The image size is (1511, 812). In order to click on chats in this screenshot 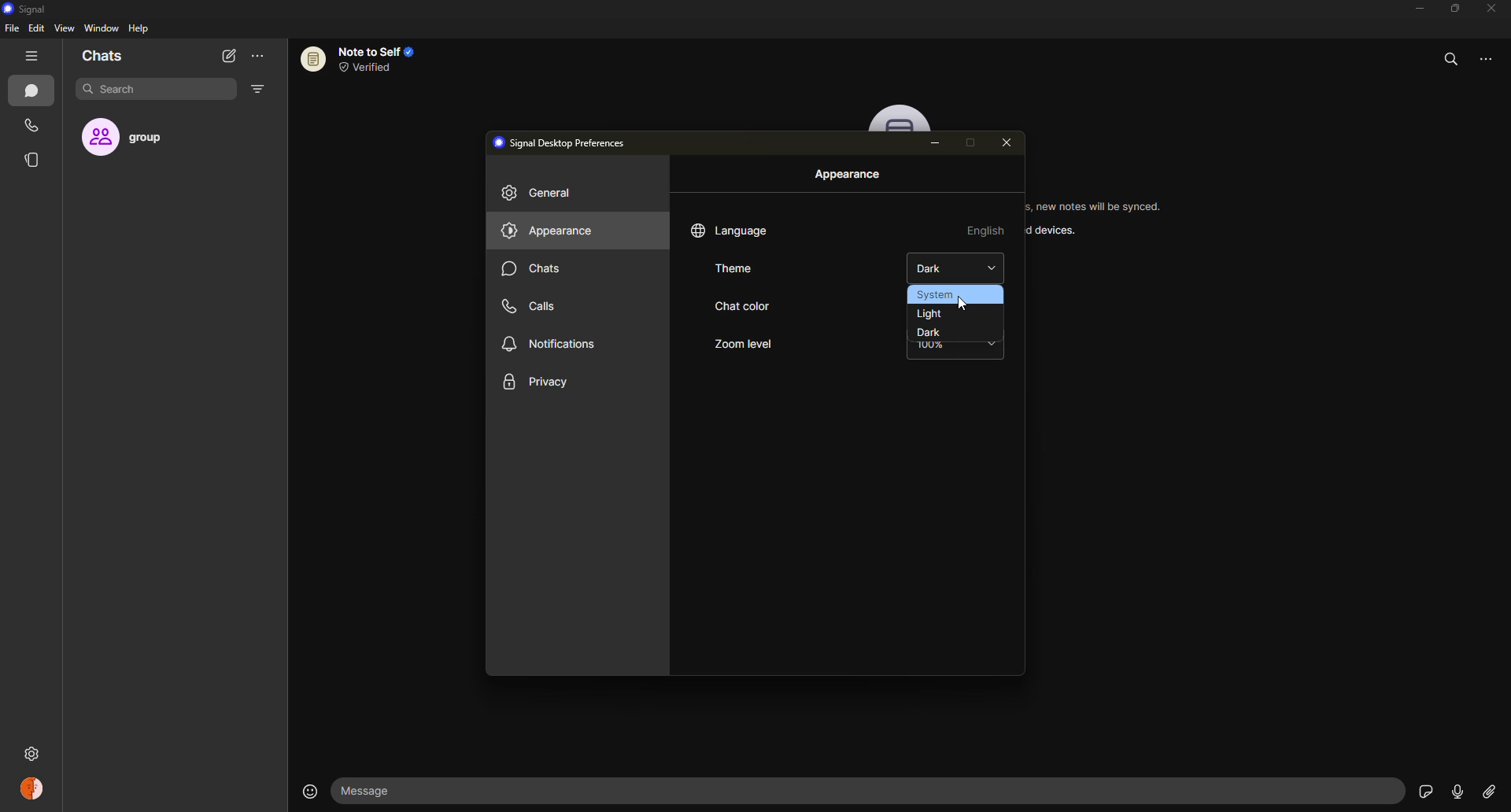, I will do `click(534, 268)`.